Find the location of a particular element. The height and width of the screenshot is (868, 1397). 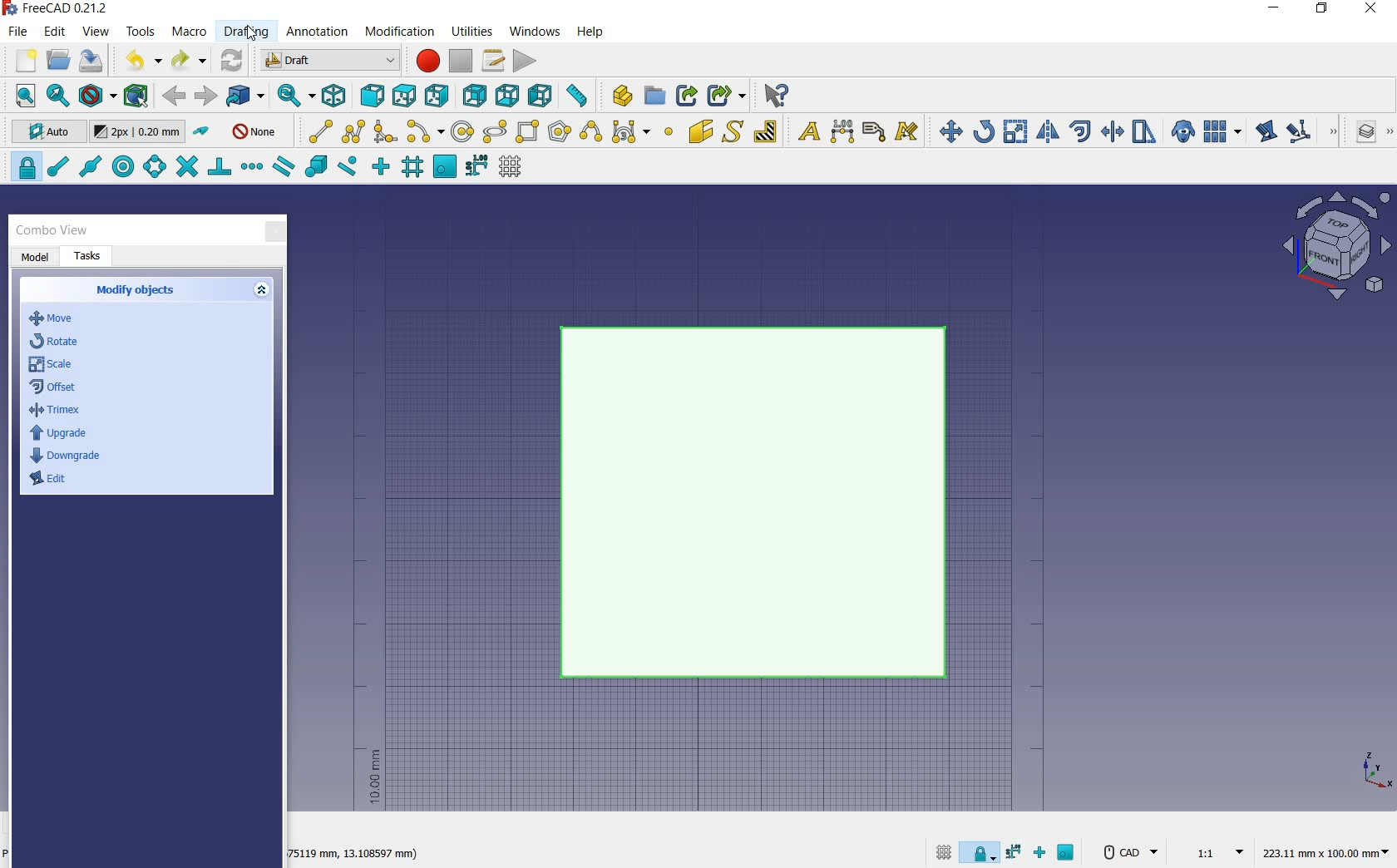

snap working plane is located at coordinates (443, 167).